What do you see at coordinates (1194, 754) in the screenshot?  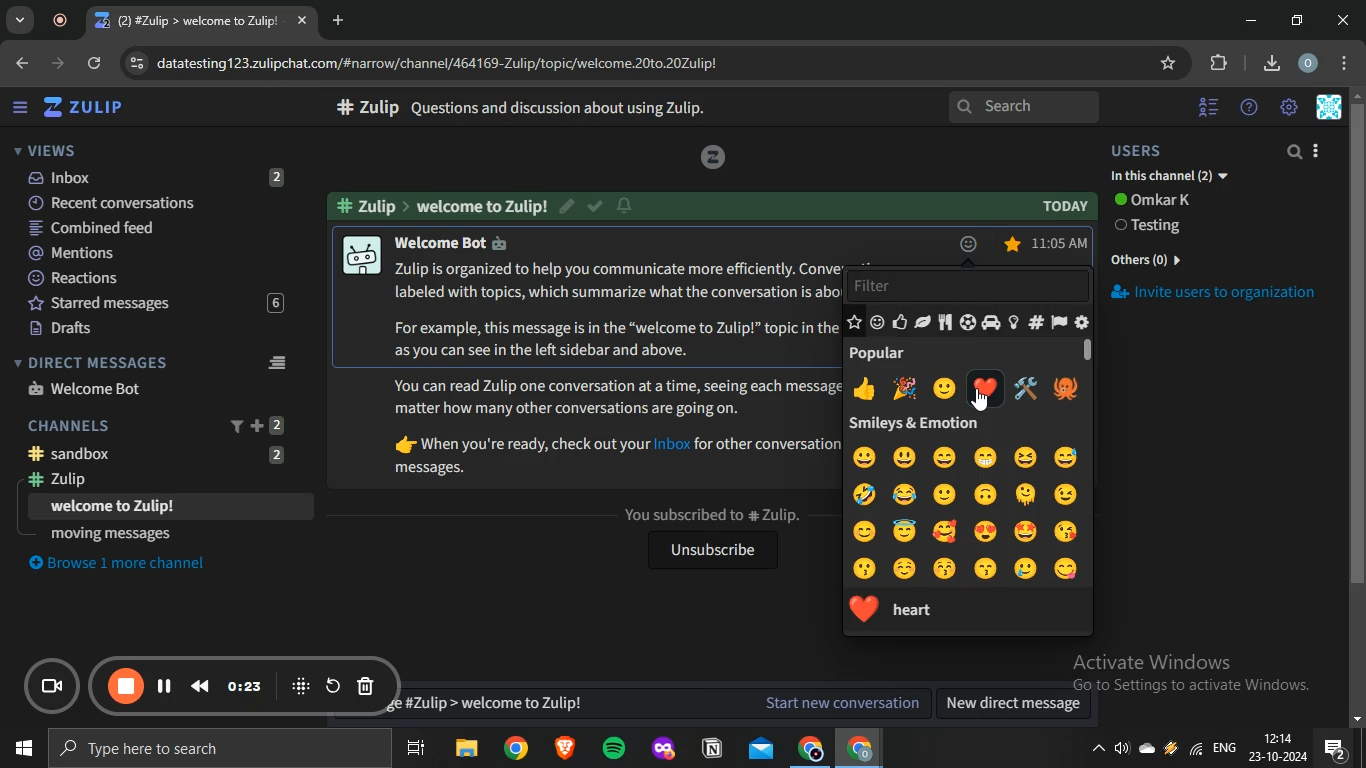 I see `wifi` at bounding box center [1194, 754].